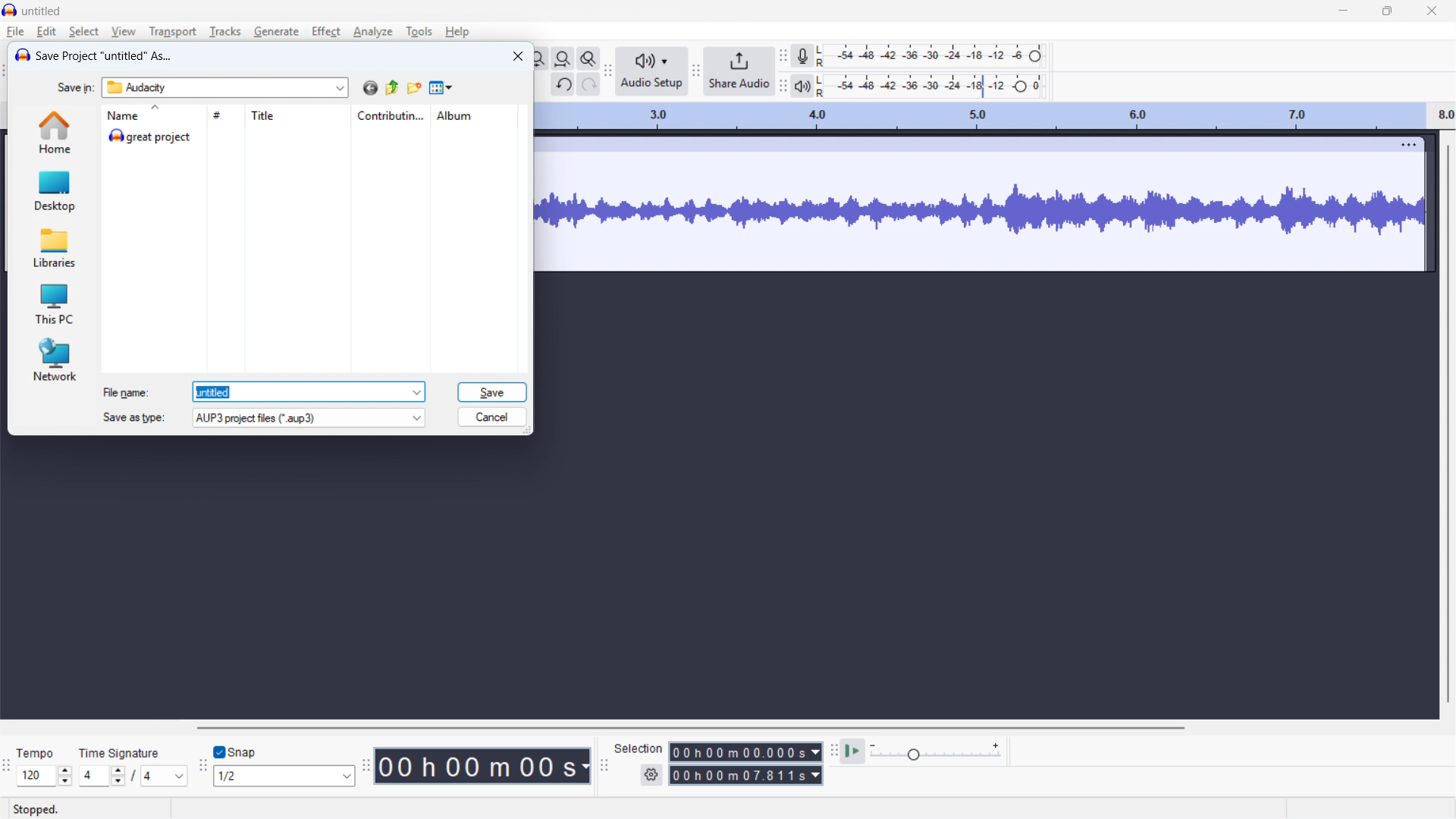 The image size is (1456, 819). What do you see at coordinates (373, 32) in the screenshot?
I see `analyse` at bounding box center [373, 32].